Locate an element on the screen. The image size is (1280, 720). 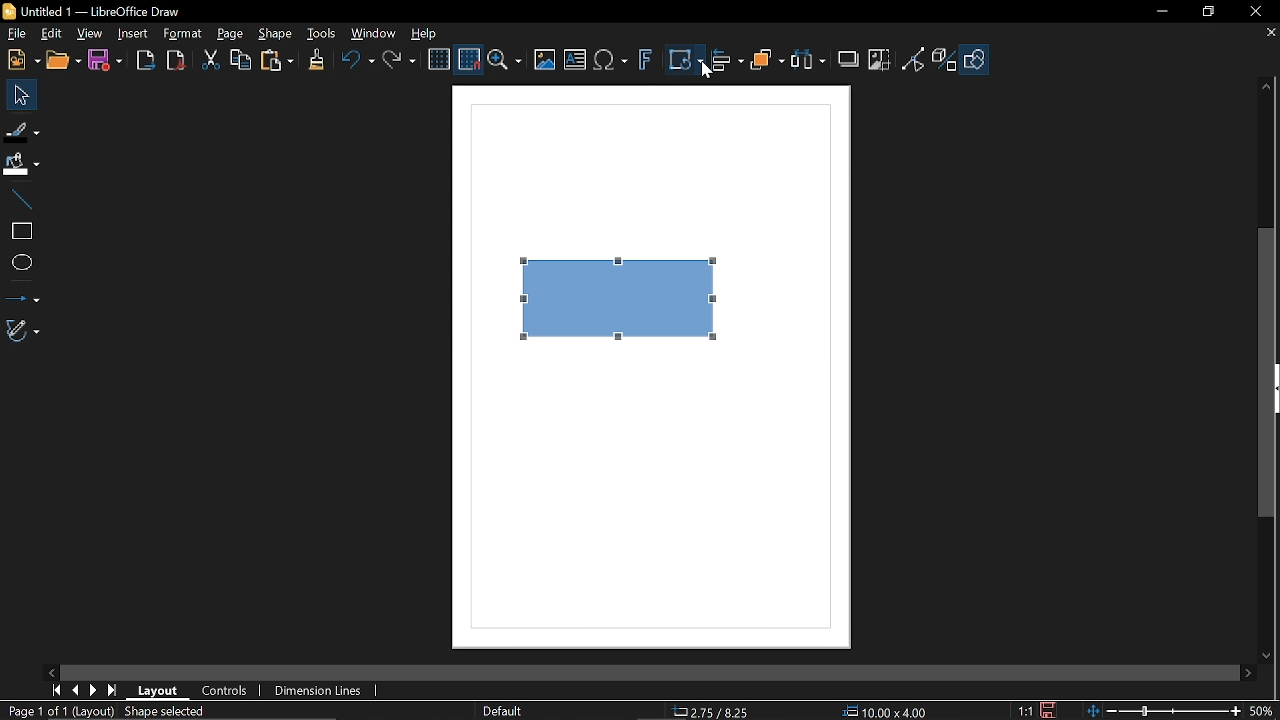
Move down is located at coordinates (1270, 656).